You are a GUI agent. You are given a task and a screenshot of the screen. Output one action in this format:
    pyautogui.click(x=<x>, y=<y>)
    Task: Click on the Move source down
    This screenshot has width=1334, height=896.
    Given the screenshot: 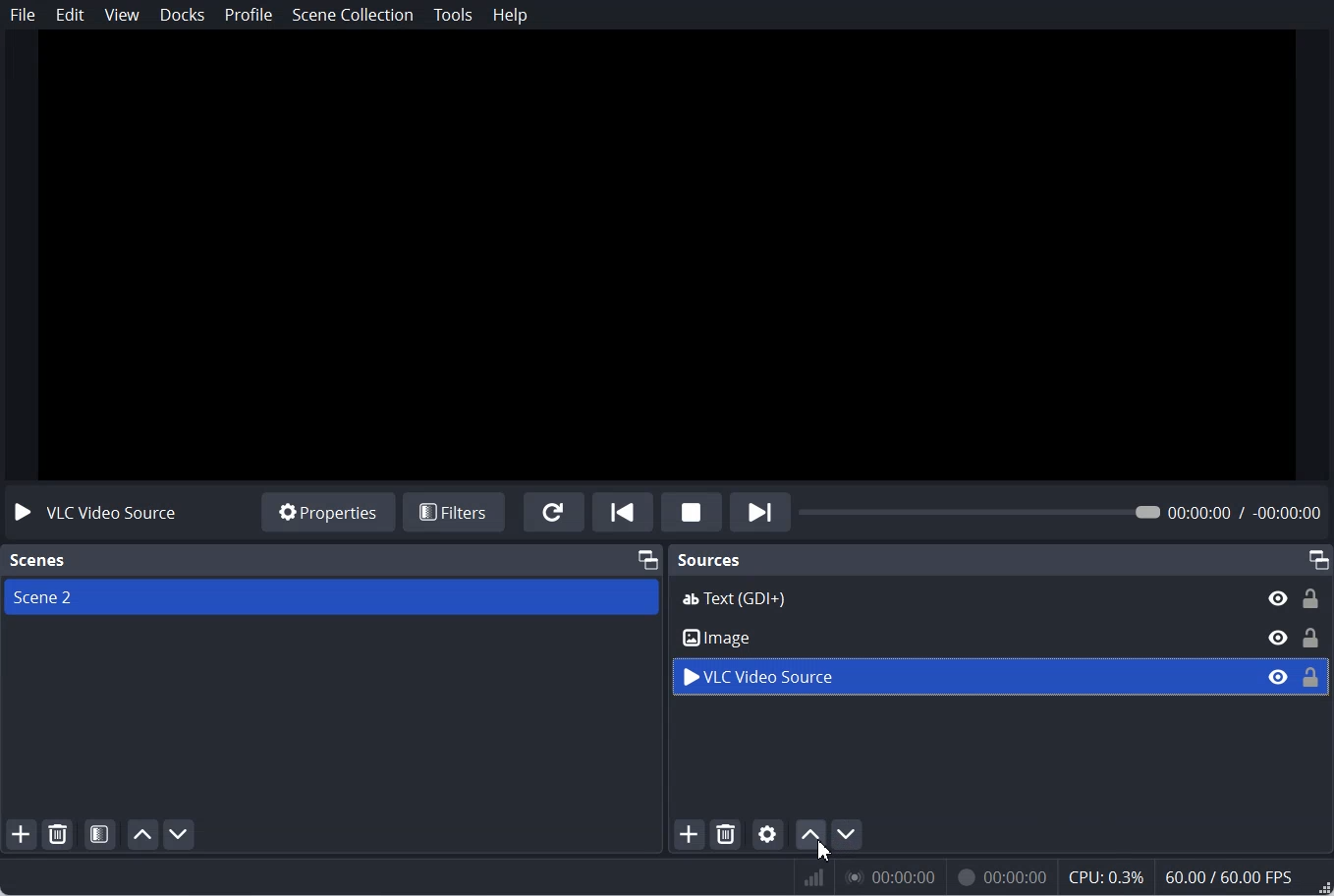 What is the action you would take?
    pyautogui.click(x=848, y=832)
    